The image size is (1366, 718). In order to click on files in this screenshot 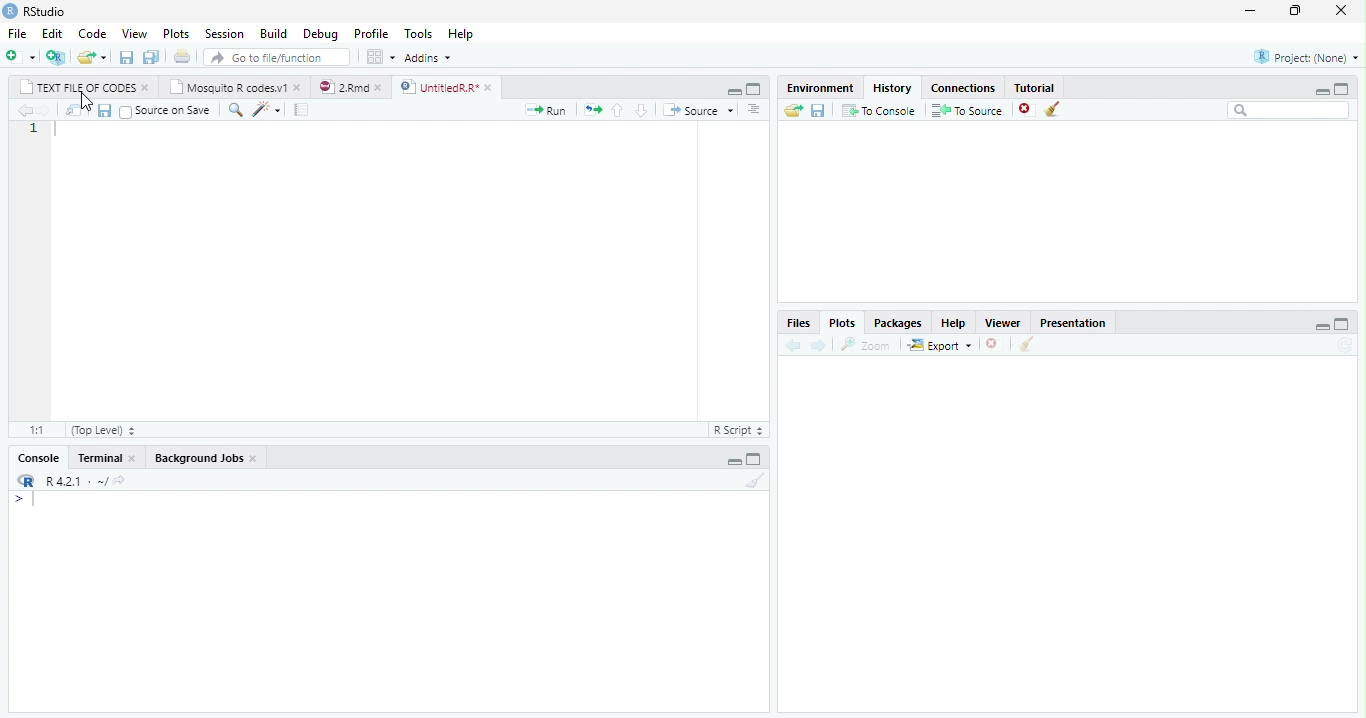, I will do `click(798, 323)`.